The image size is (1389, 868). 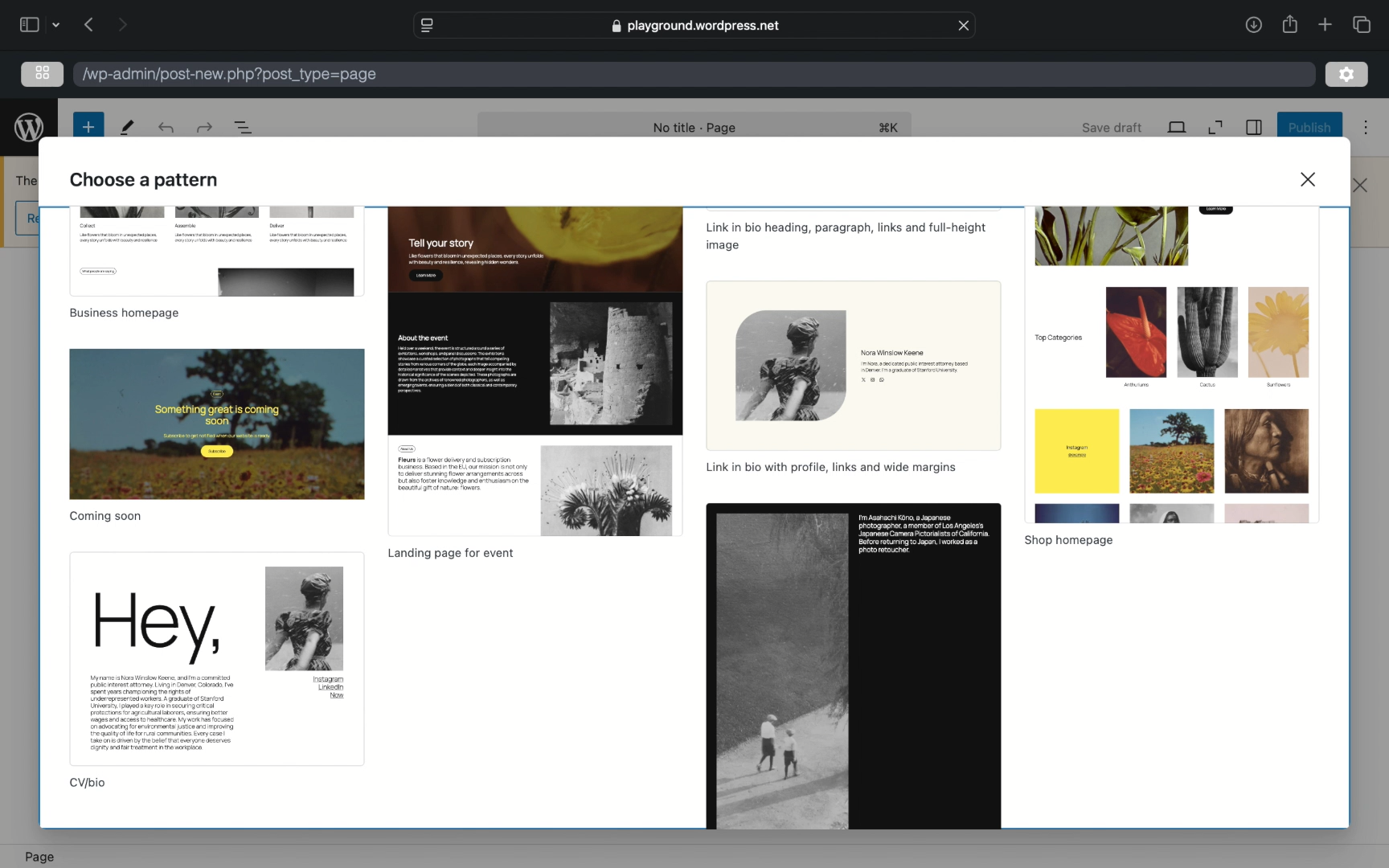 I want to click on grid  view, so click(x=43, y=72).